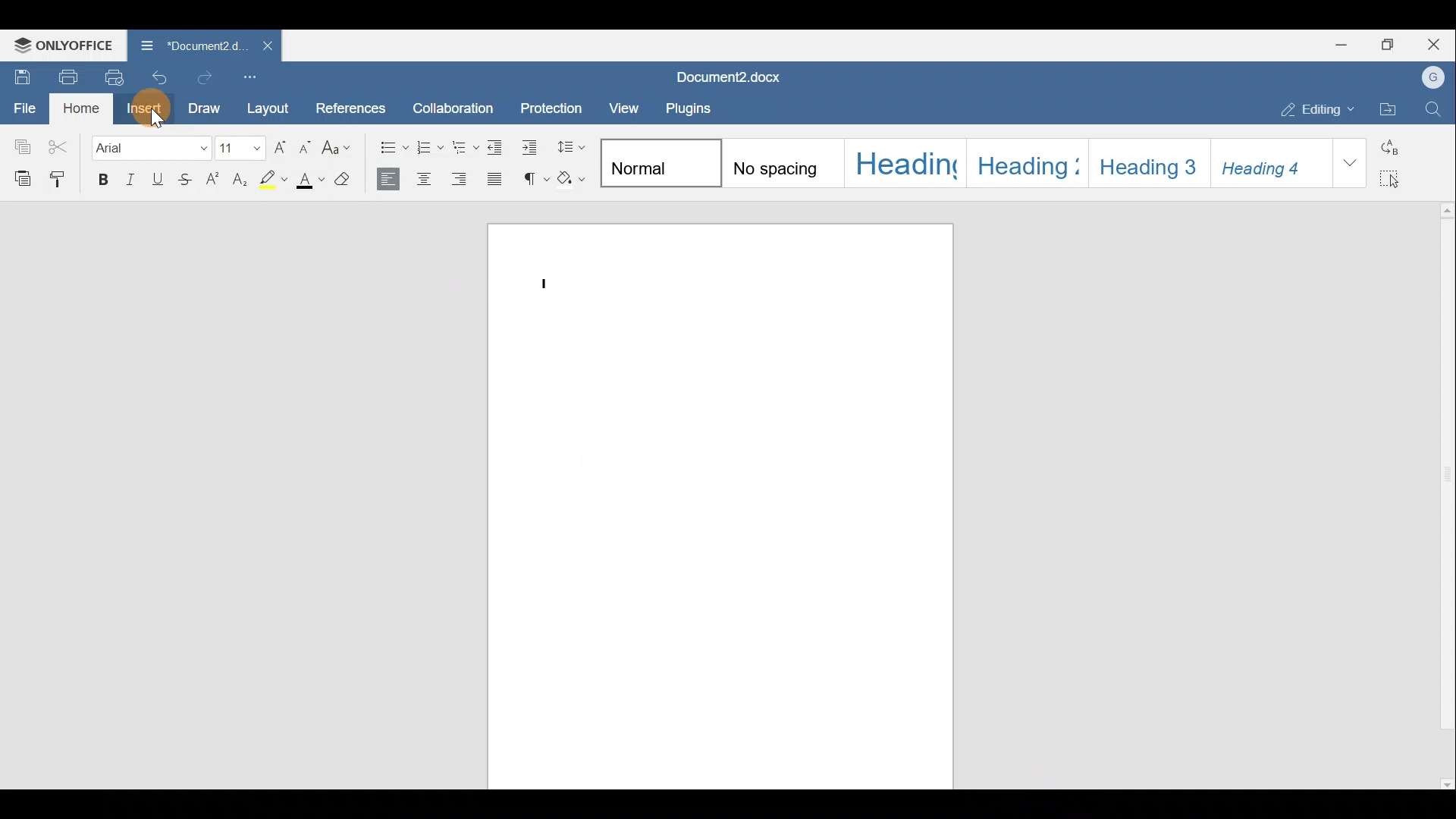  I want to click on Strikethrough, so click(187, 181).